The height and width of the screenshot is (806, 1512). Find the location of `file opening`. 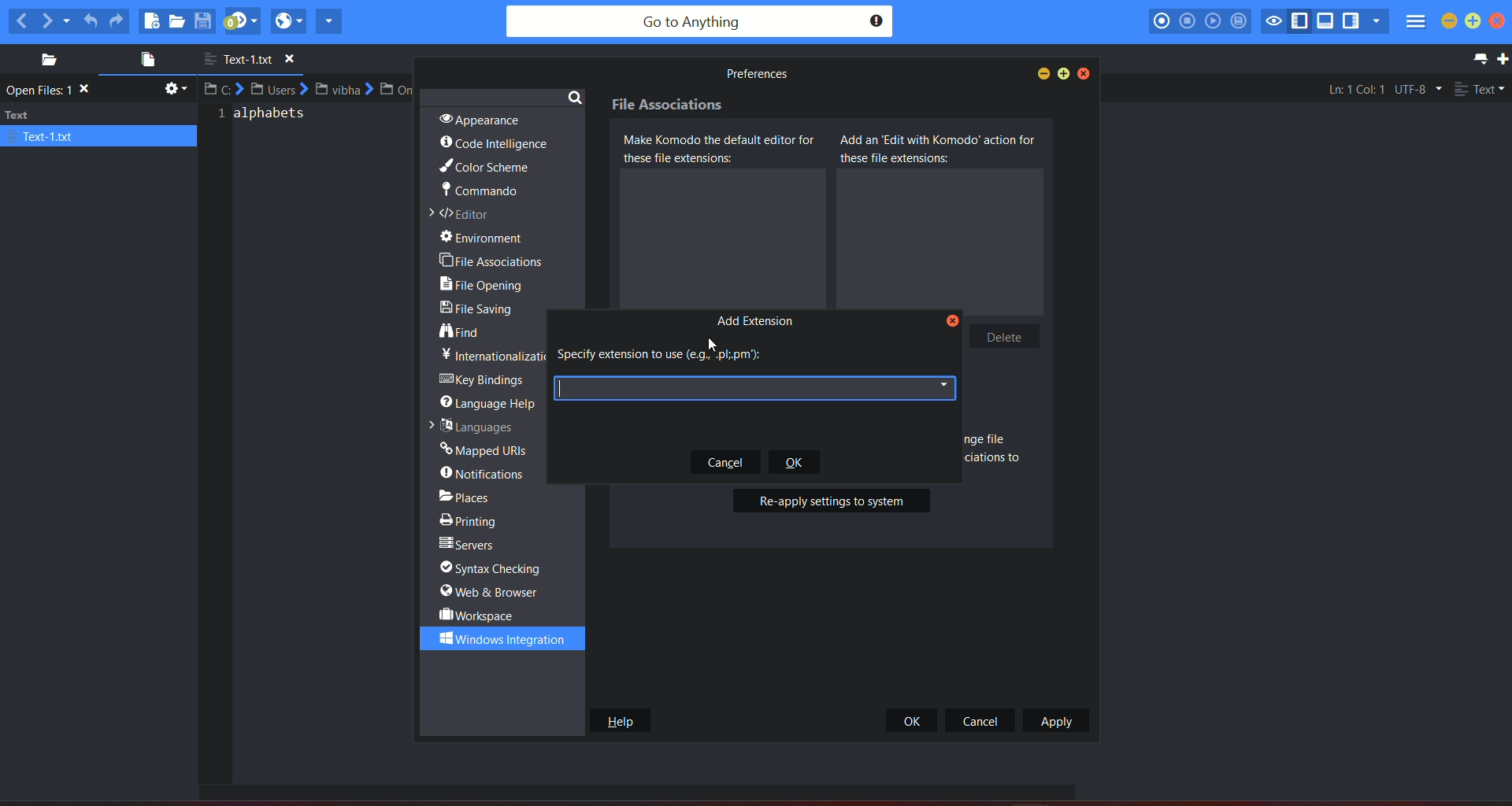

file opening is located at coordinates (487, 286).